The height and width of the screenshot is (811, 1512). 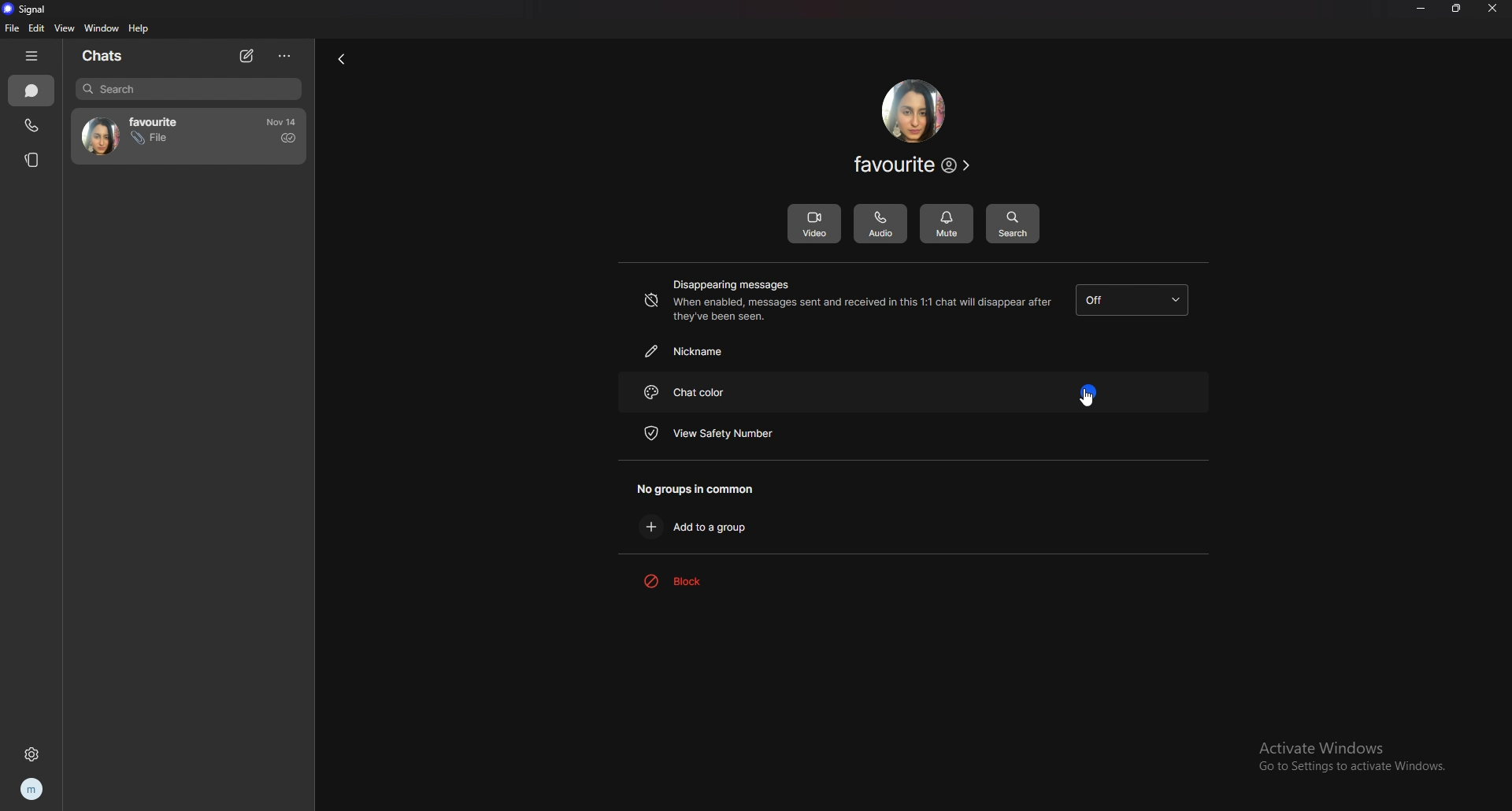 What do you see at coordinates (918, 393) in the screenshot?
I see `chat color` at bounding box center [918, 393].